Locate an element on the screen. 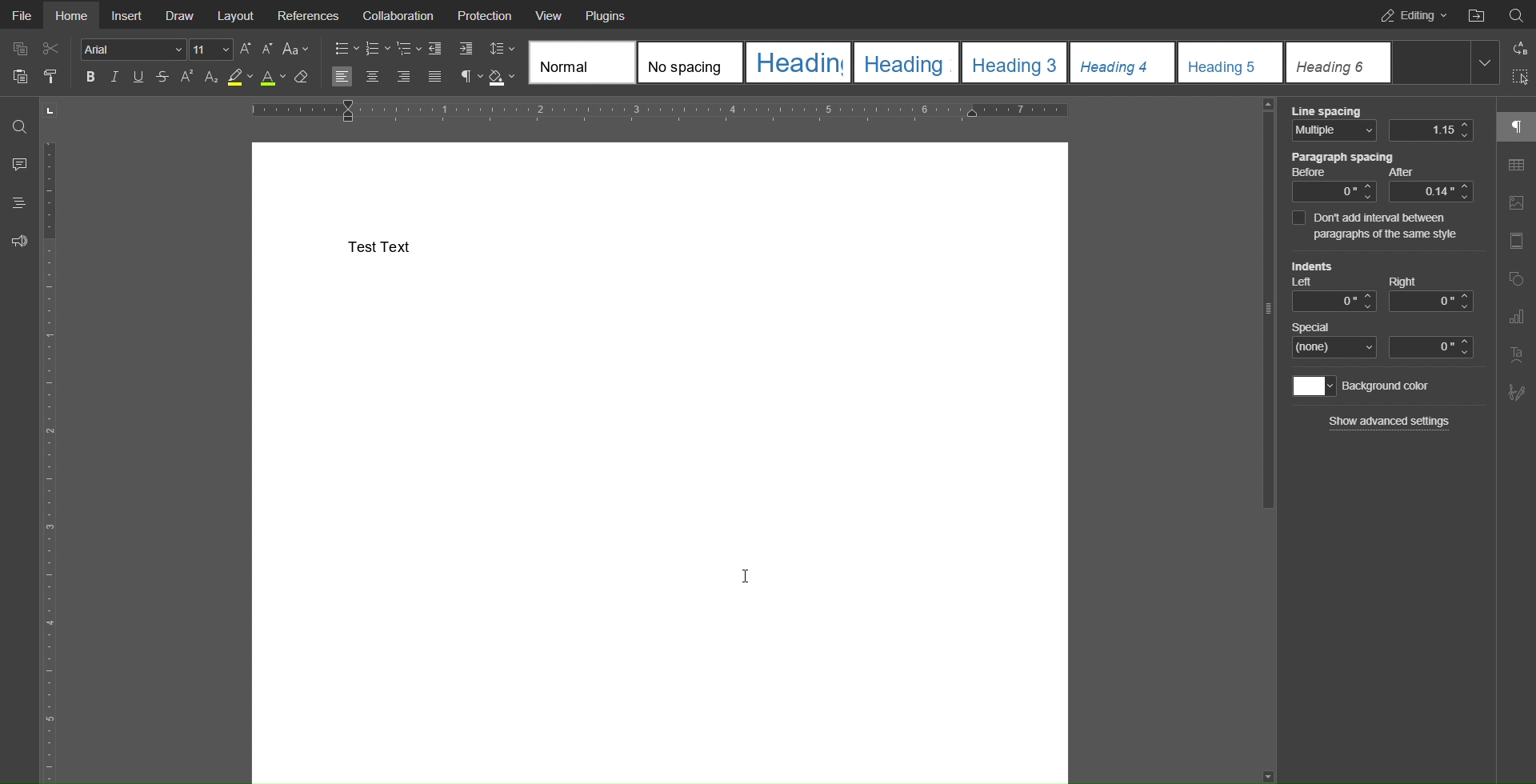  Paragraph Settings is located at coordinates (470, 78).